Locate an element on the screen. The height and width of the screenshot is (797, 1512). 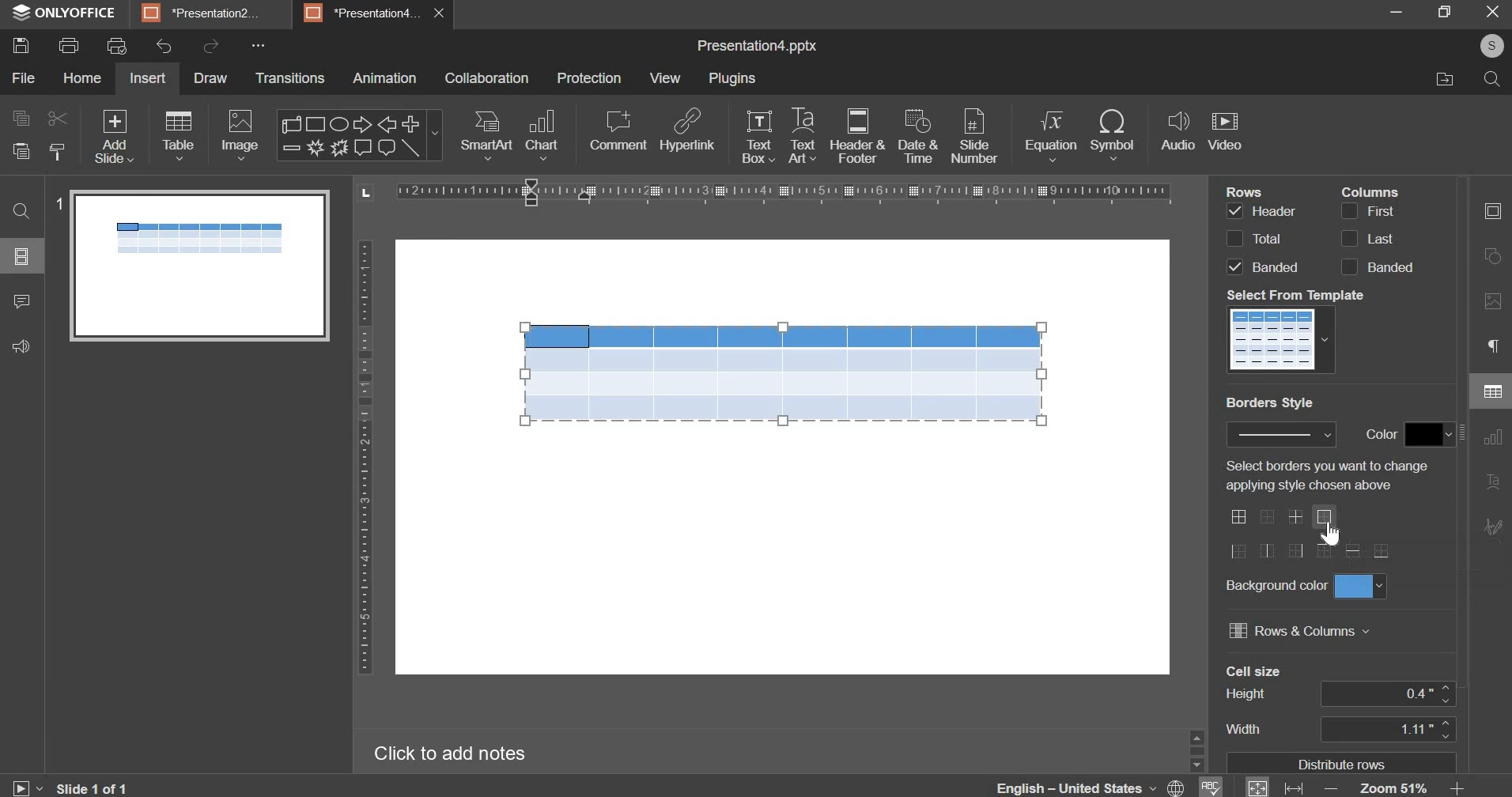
video is located at coordinates (1225, 130).